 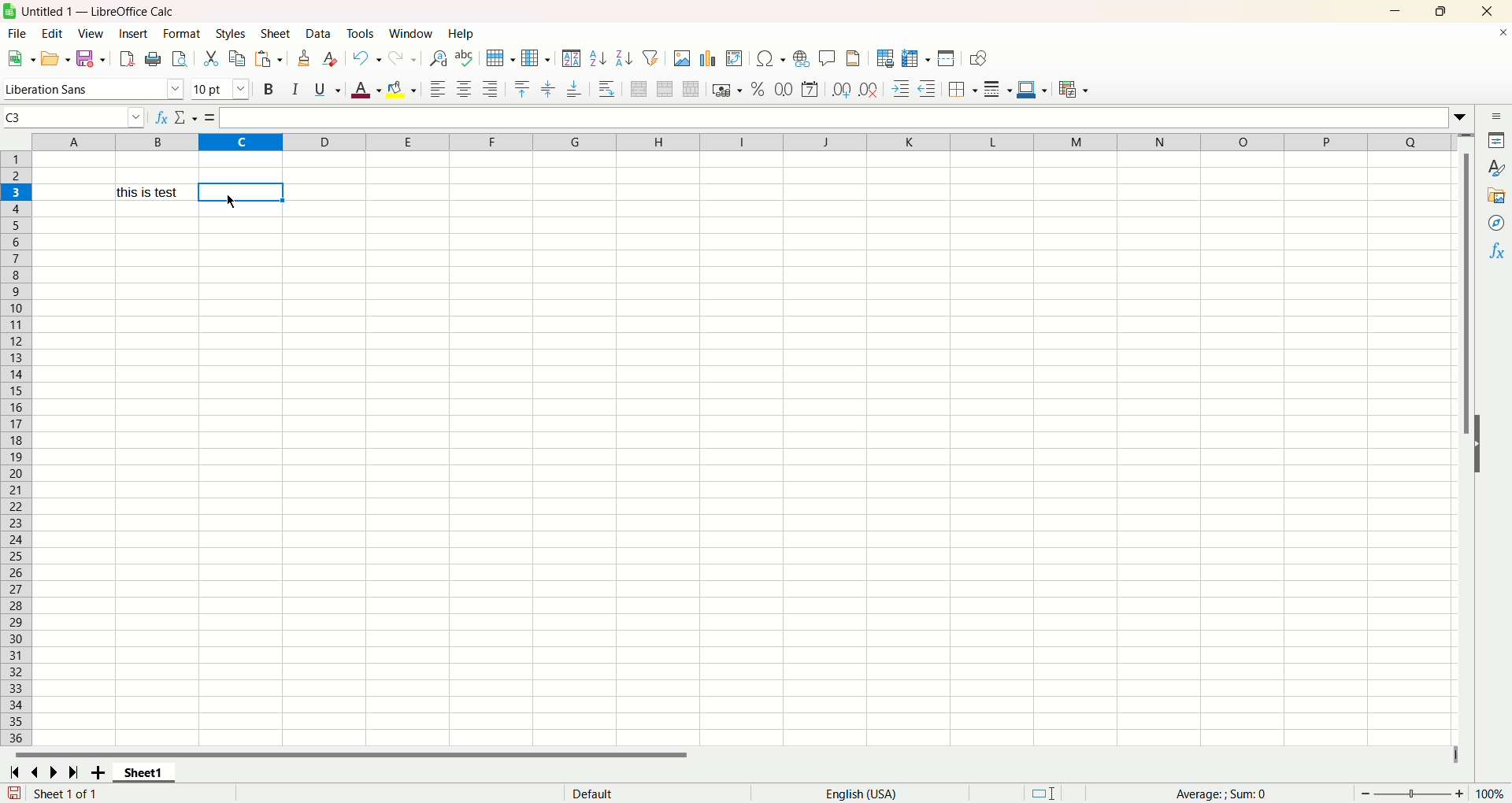 What do you see at coordinates (413, 33) in the screenshot?
I see `window` at bounding box center [413, 33].